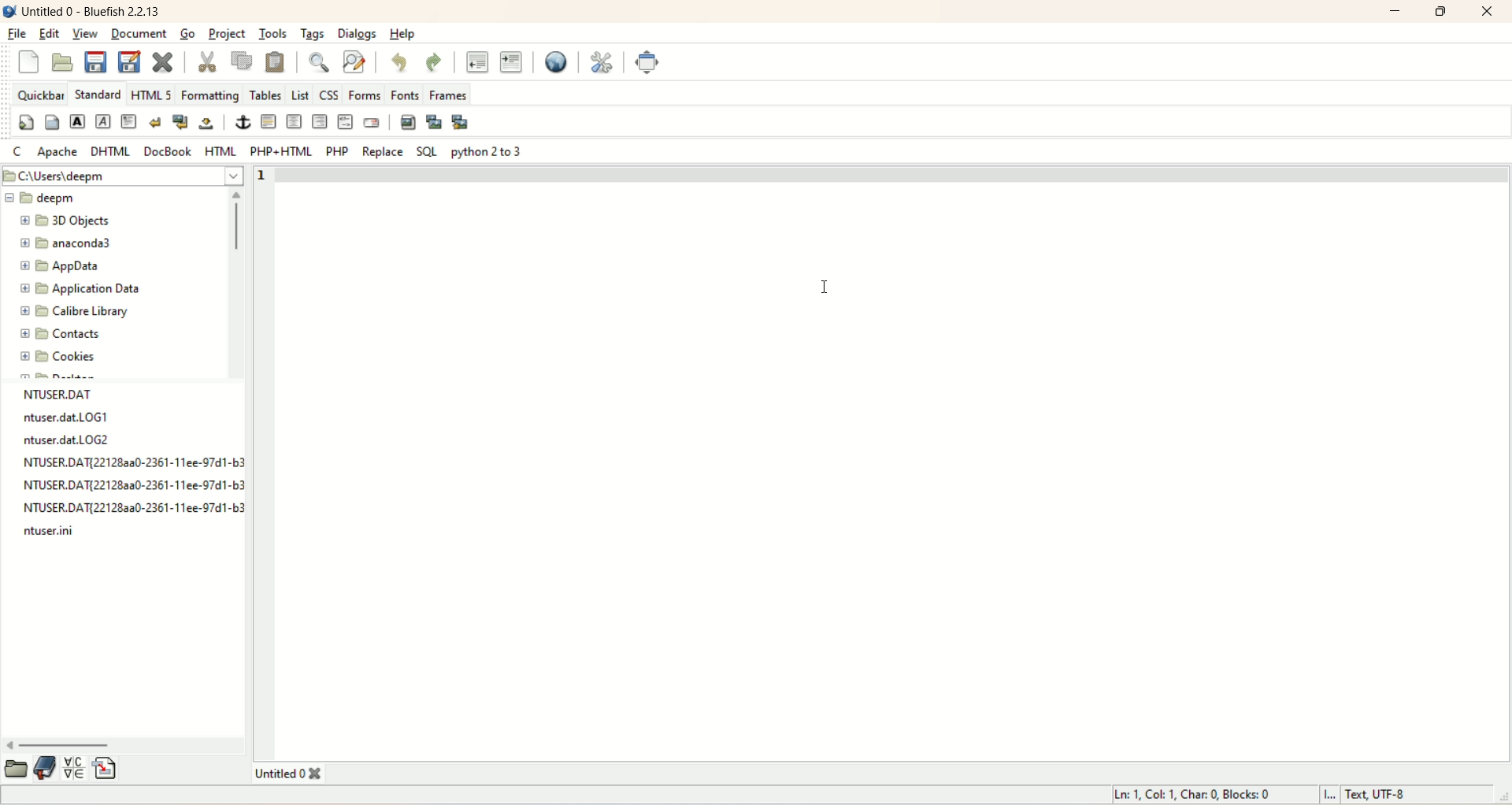 This screenshot has height=805, width=1512. I want to click on MULTI-THUMBNAIL, so click(463, 123).